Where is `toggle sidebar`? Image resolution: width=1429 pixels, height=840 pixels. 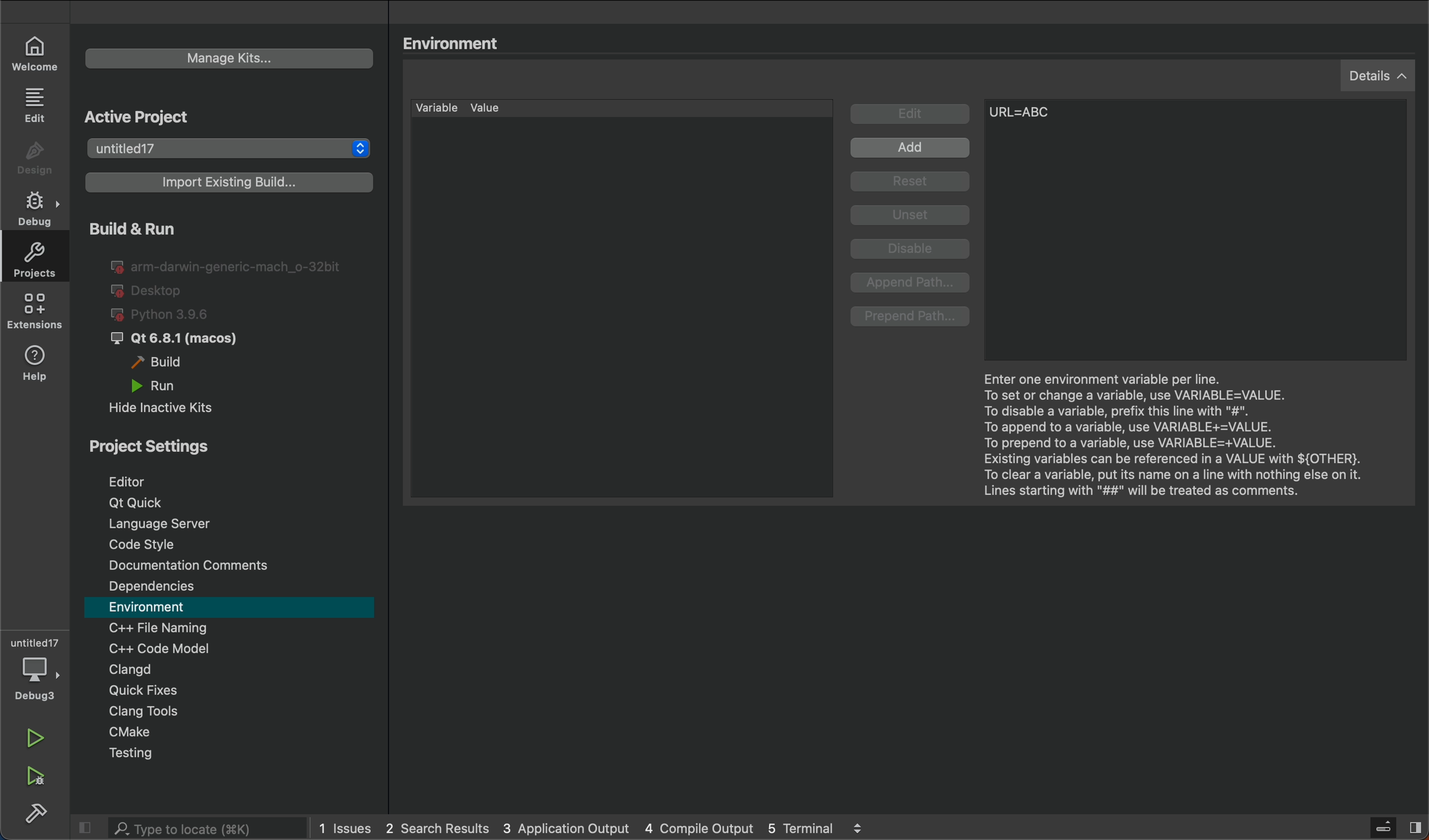
toggle sidebar is located at coordinates (1390, 827).